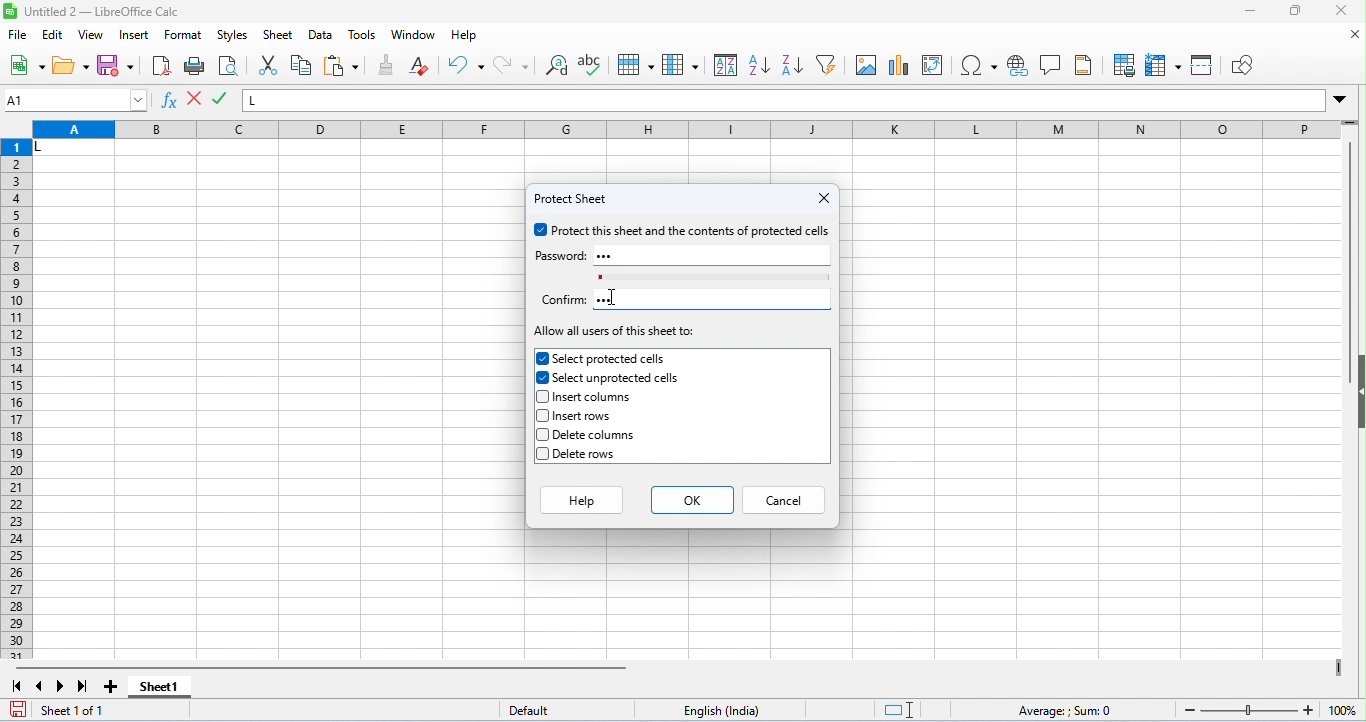 The image size is (1366, 722). What do you see at coordinates (73, 149) in the screenshot?
I see `cell with data` at bounding box center [73, 149].